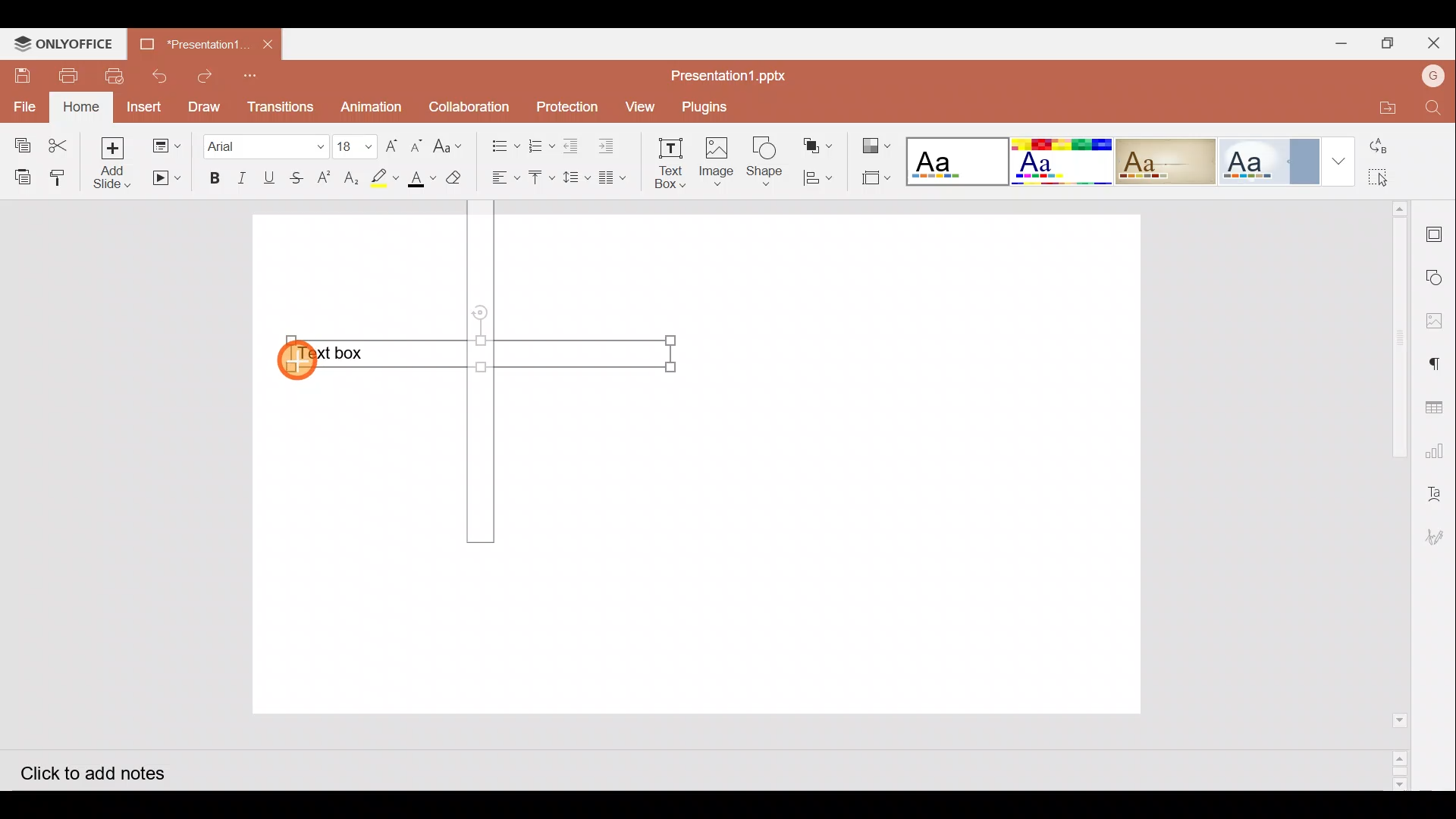 This screenshot has width=1456, height=819. What do you see at coordinates (165, 178) in the screenshot?
I see `Start slideshow` at bounding box center [165, 178].